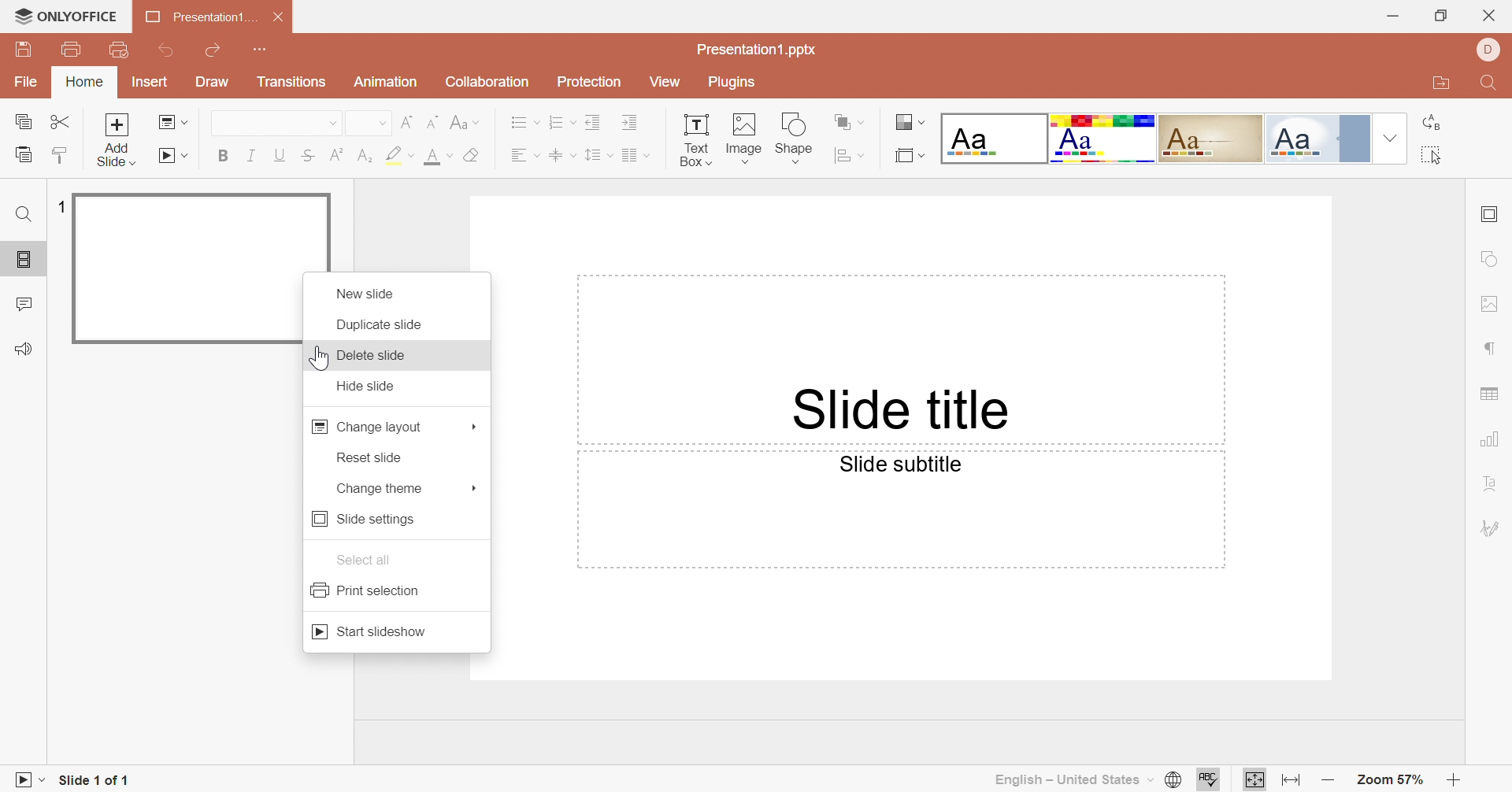 The width and height of the screenshot is (1512, 792). I want to click on Change case, so click(458, 122).